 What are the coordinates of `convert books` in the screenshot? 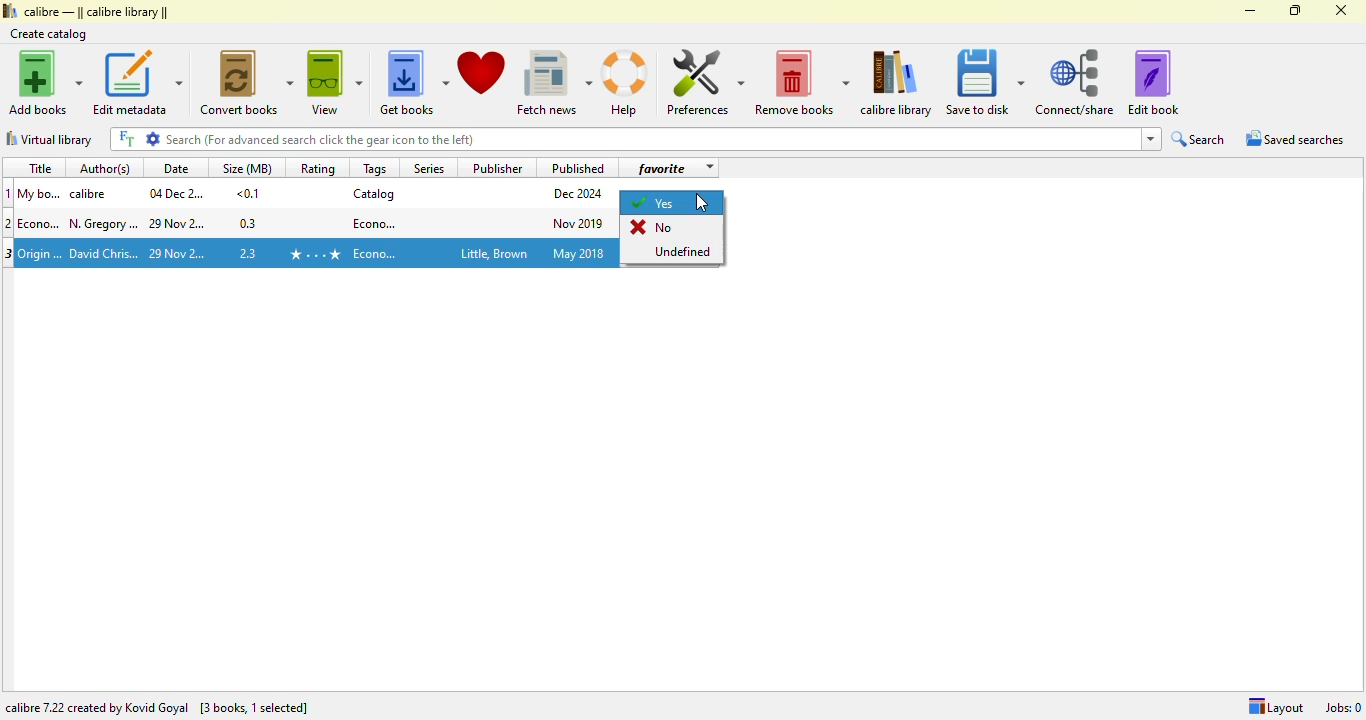 It's located at (248, 82).